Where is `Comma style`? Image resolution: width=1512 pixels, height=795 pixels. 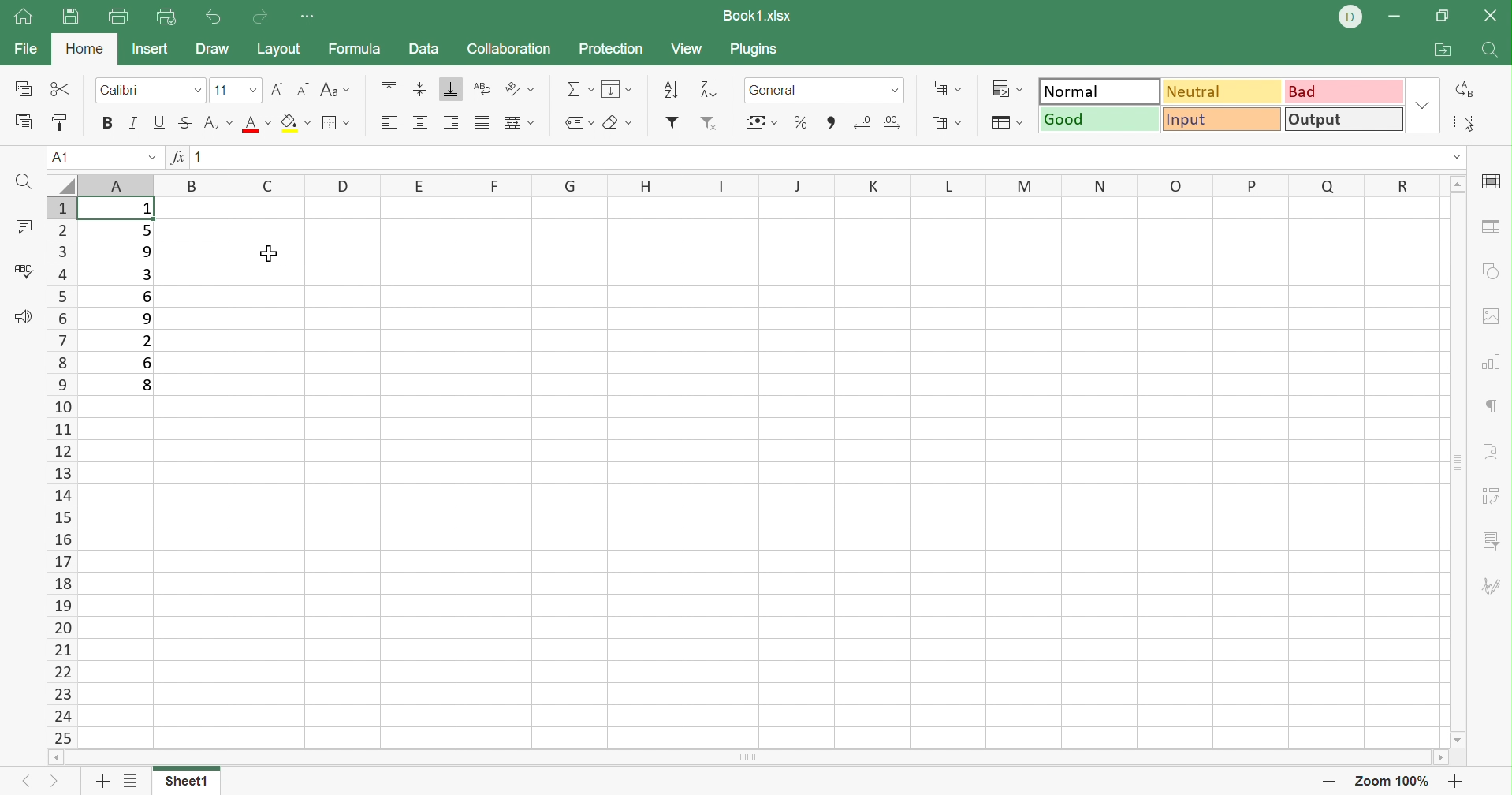
Comma style is located at coordinates (831, 121).